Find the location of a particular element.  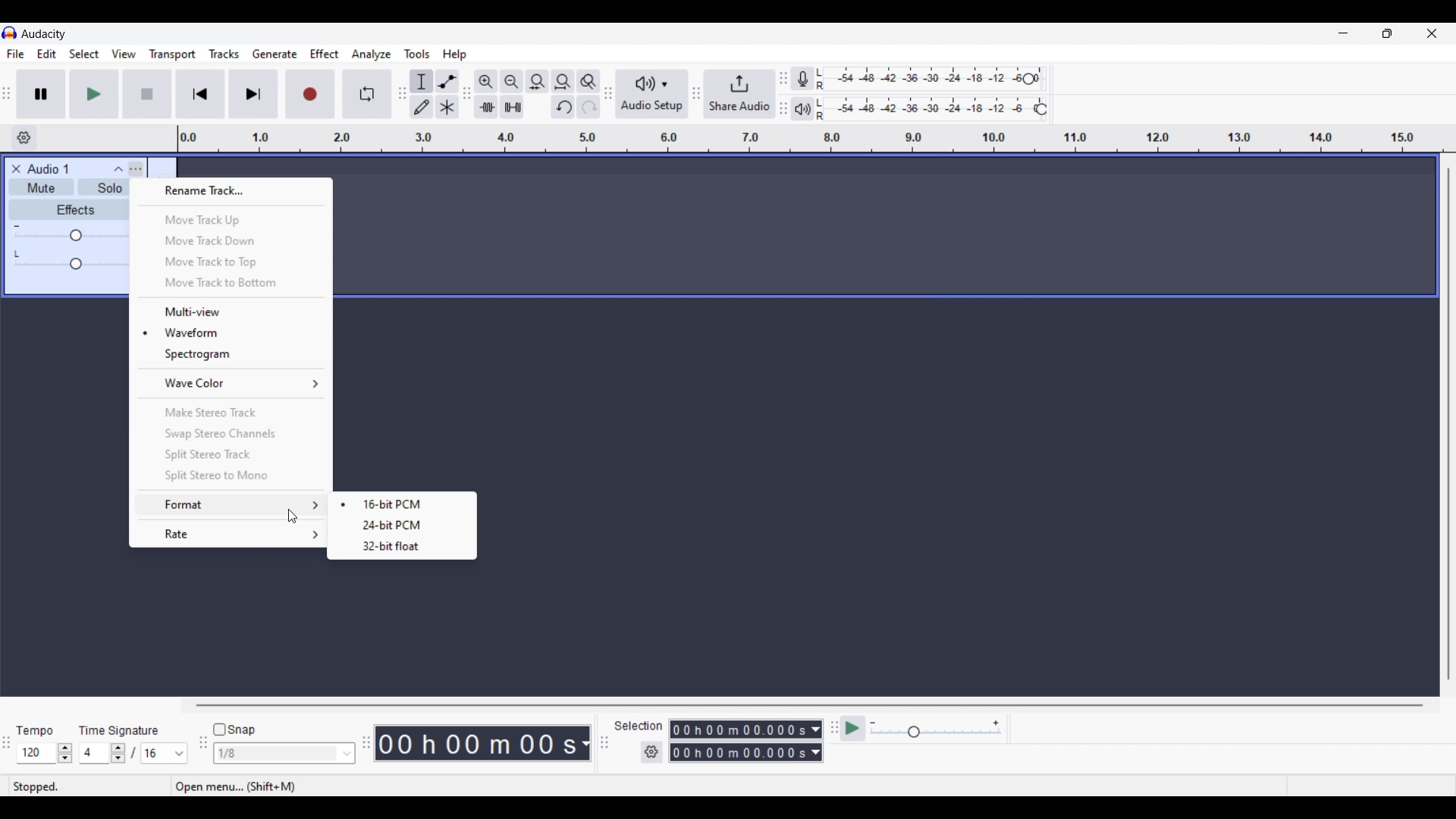

Slider to change playback speed is located at coordinates (936, 733).